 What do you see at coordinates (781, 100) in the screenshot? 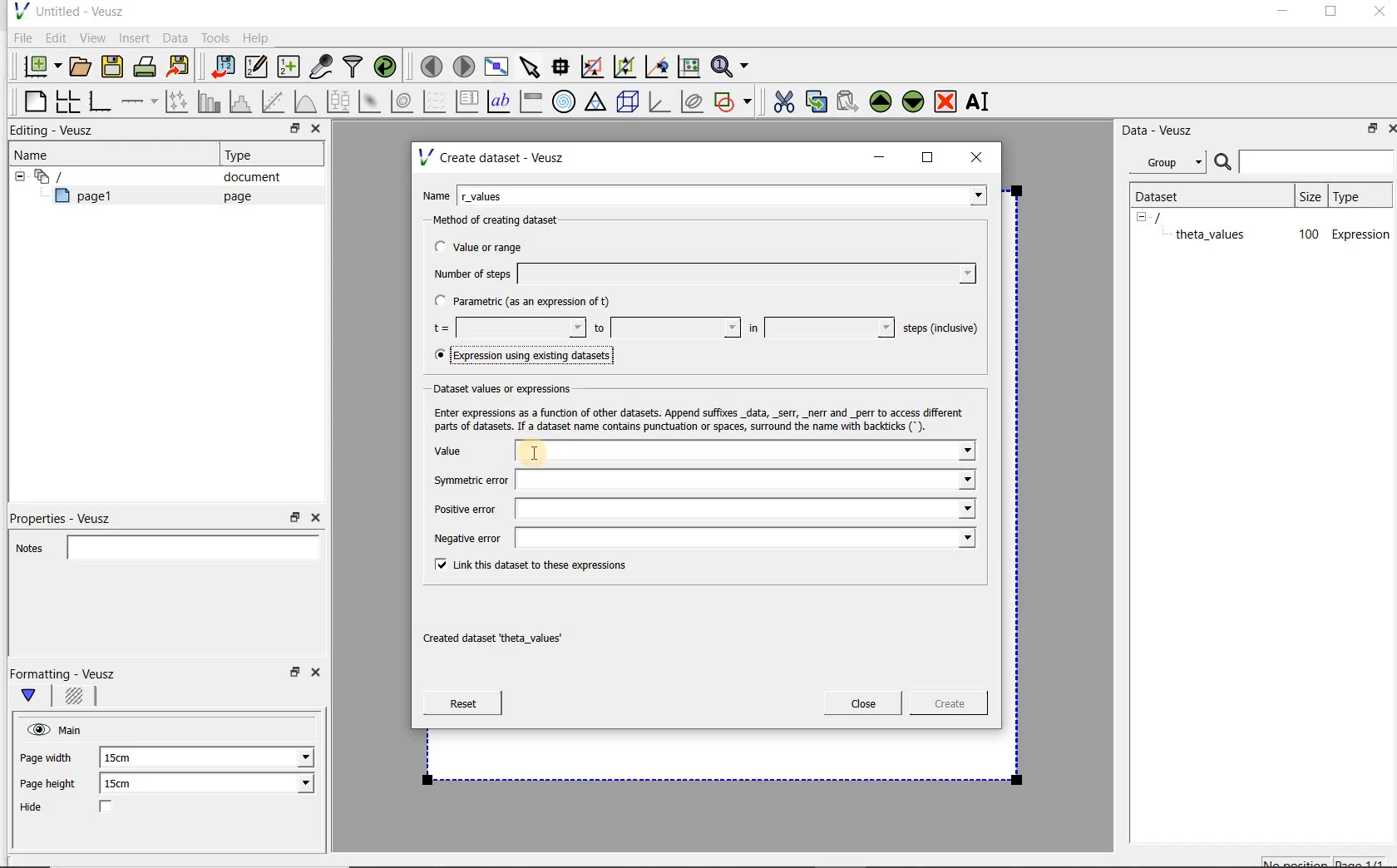
I see `cut the selected widget` at bounding box center [781, 100].